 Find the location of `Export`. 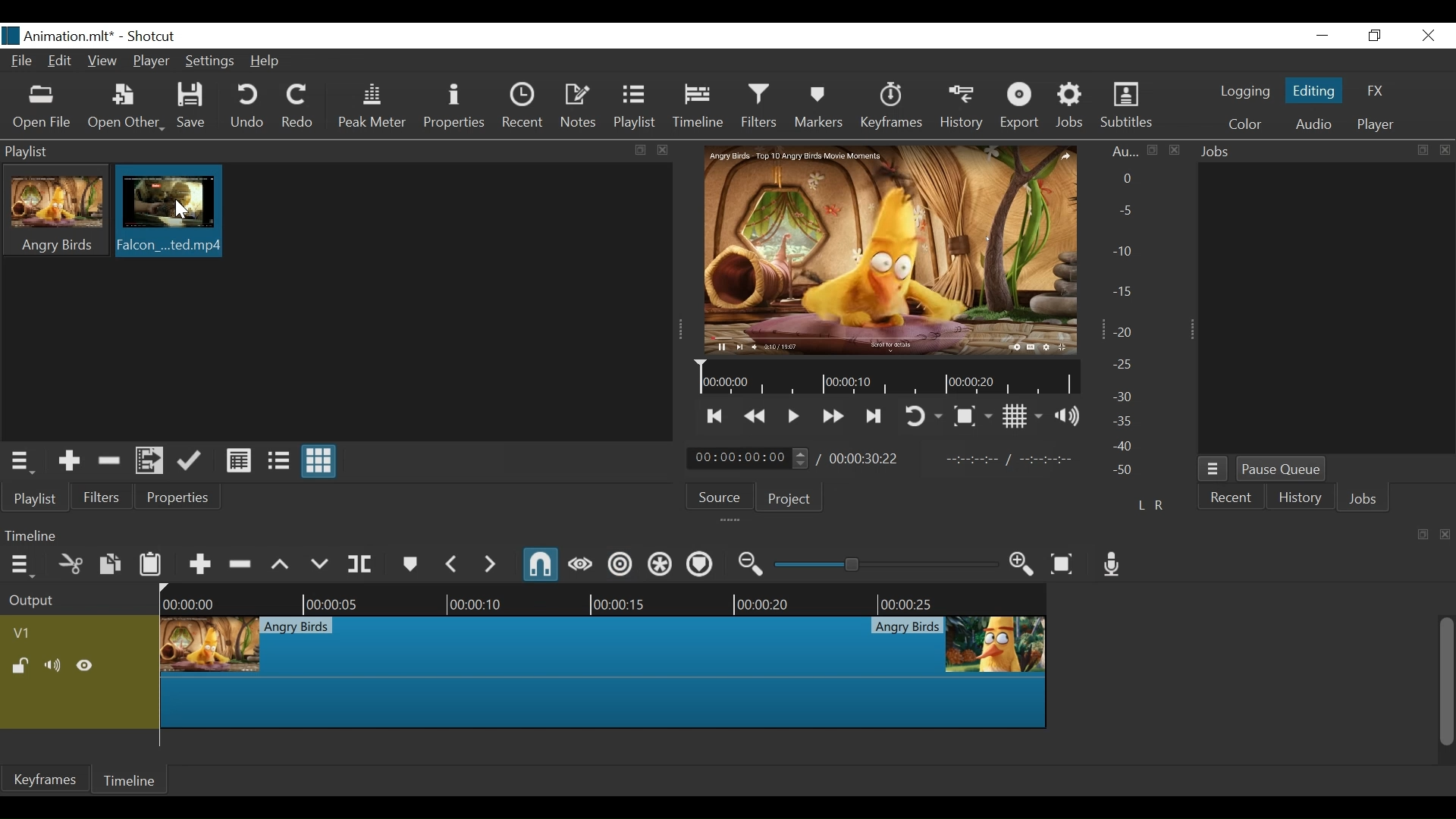

Export is located at coordinates (1020, 108).